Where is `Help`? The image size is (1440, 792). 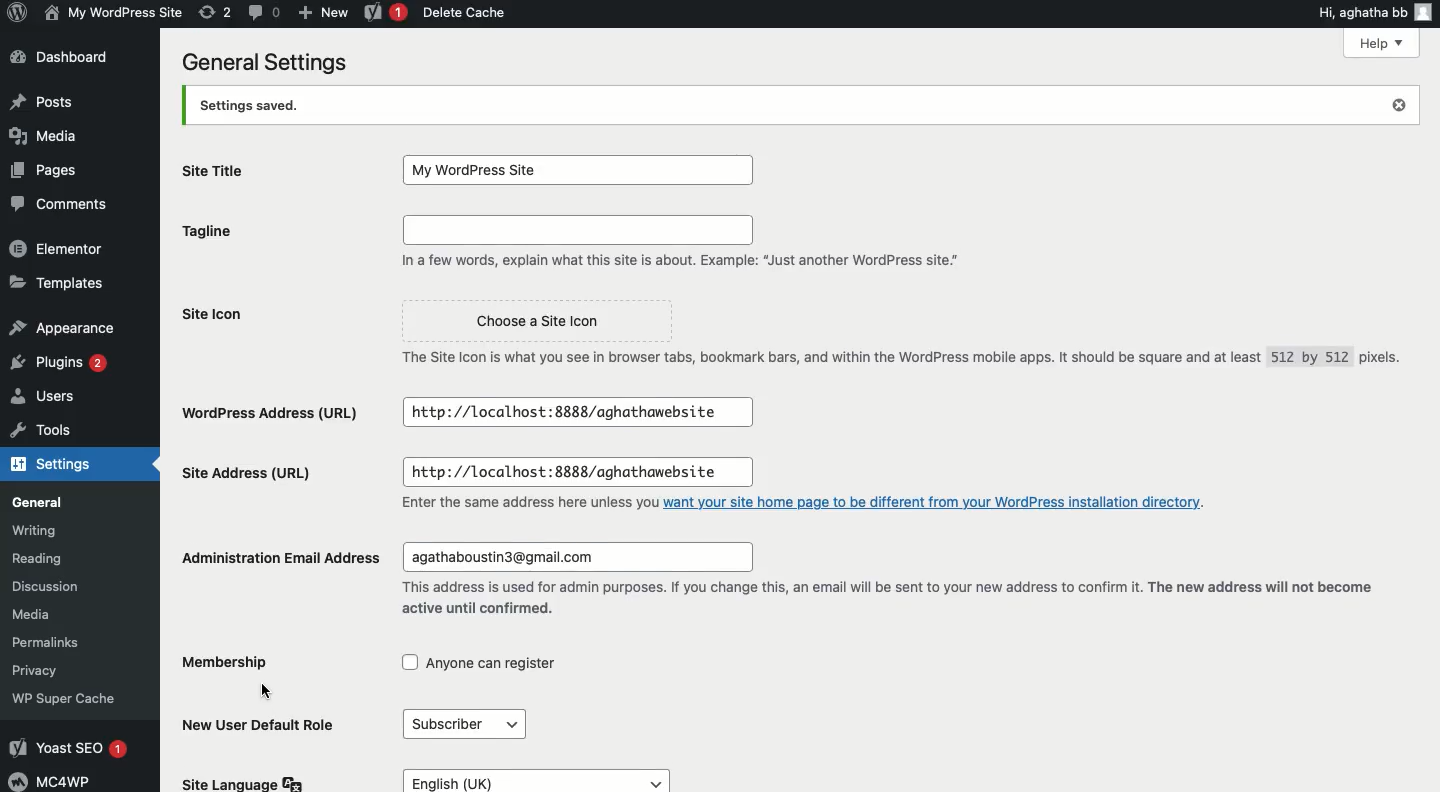
Help is located at coordinates (1381, 45).